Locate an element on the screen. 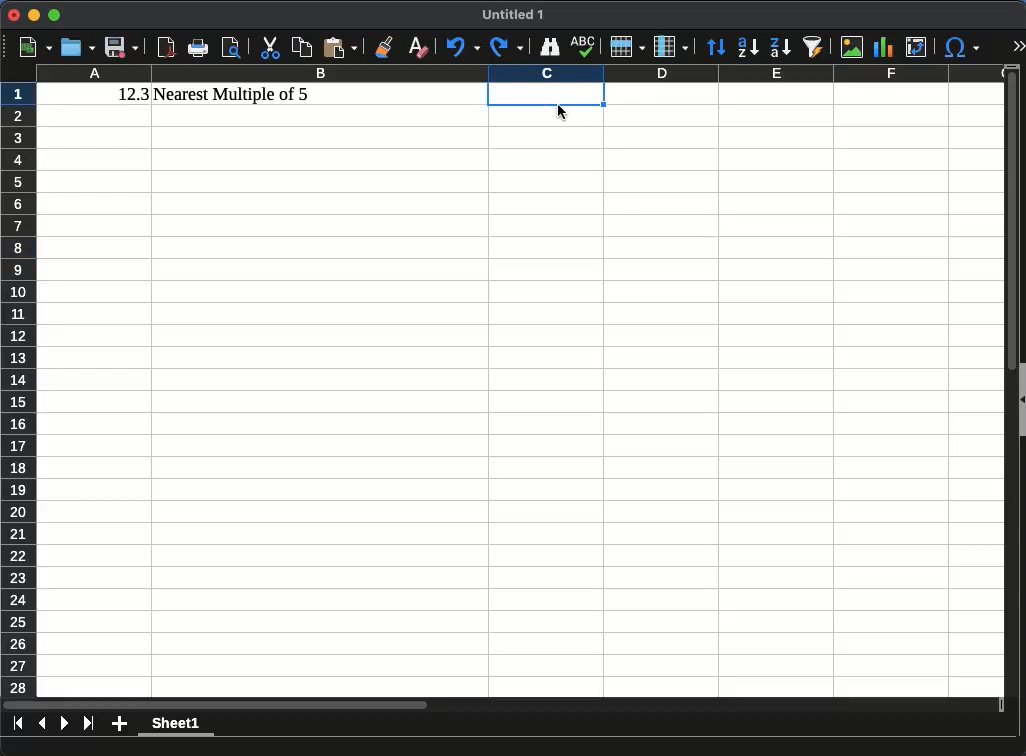 This screenshot has width=1026, height=756. maximize is located at coordinates (53, 14).